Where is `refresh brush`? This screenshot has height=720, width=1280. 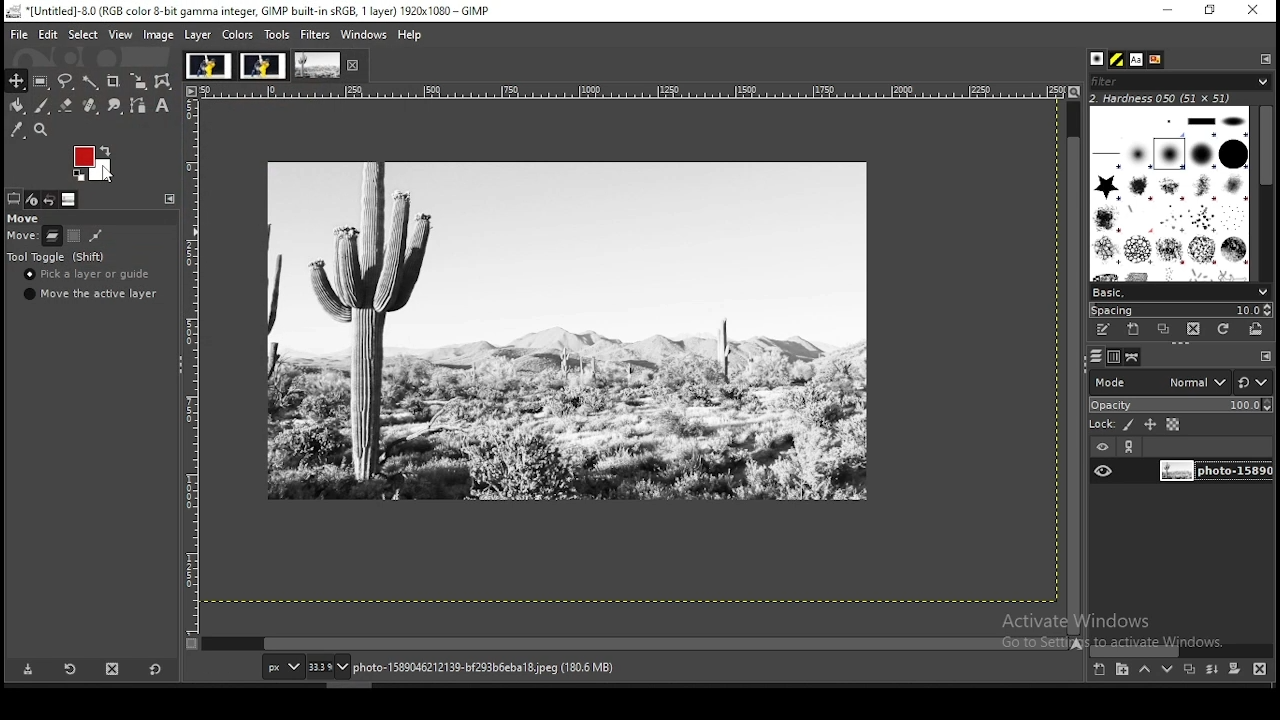 refresh brush is located at coordinates (1223, 329).